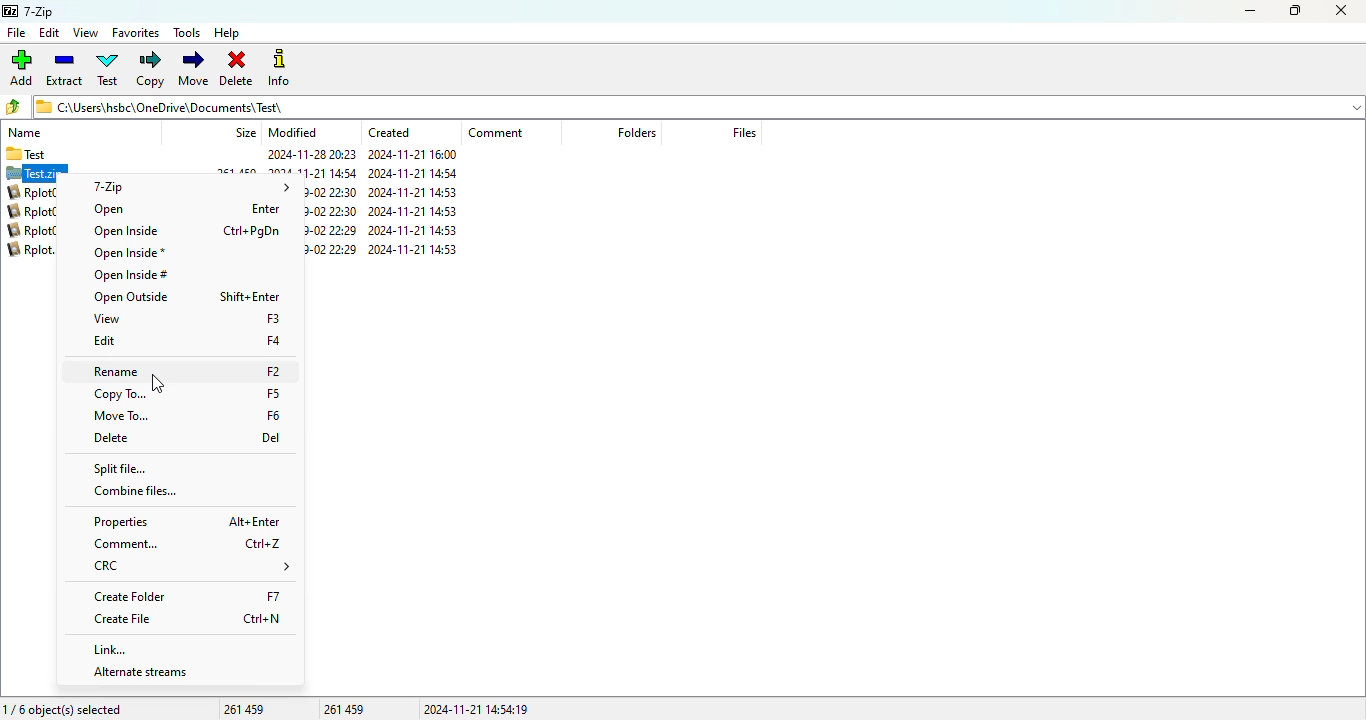 This screenshot has width=1366, height=720. I want to click on close, so click(1341, 11).